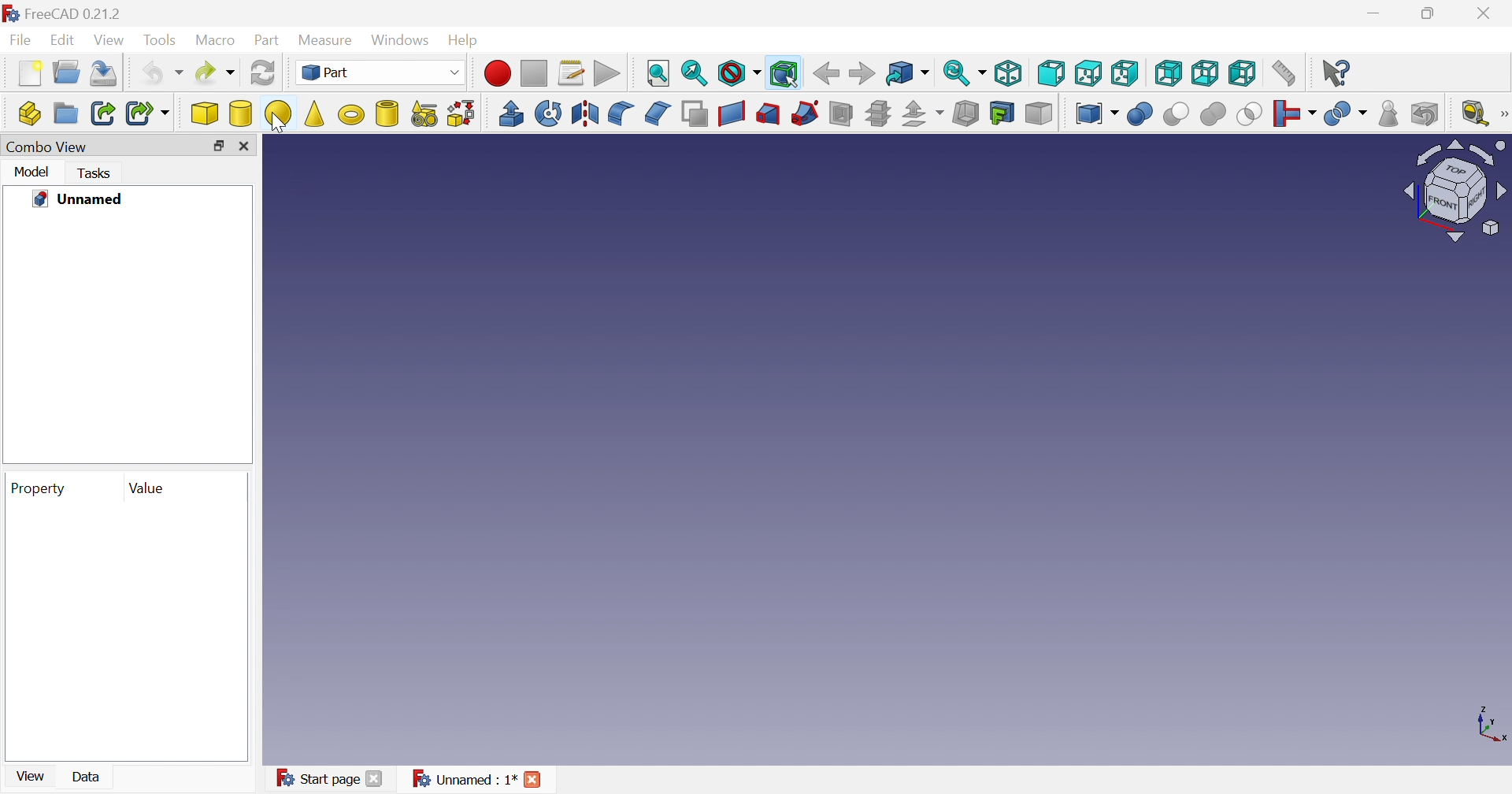 Image resolution: width=1512 pixels, height=794 pixels. What do you see at coordinates (267, 42) in the screenshot?
I see `Part` at bounding box center [267, 42].